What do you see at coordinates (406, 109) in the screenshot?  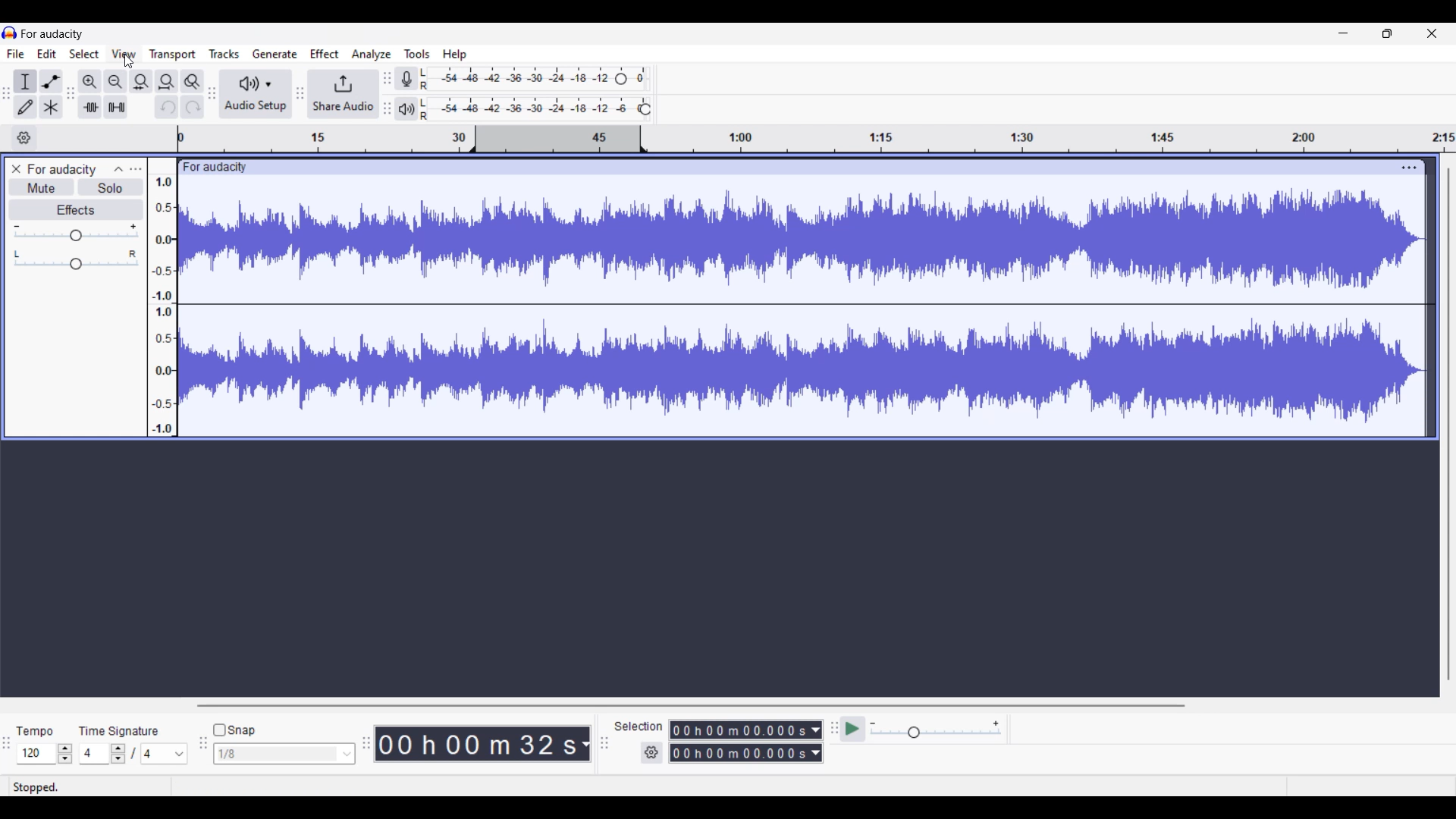 I see `Playback meter` at bounding box center [406, 109].